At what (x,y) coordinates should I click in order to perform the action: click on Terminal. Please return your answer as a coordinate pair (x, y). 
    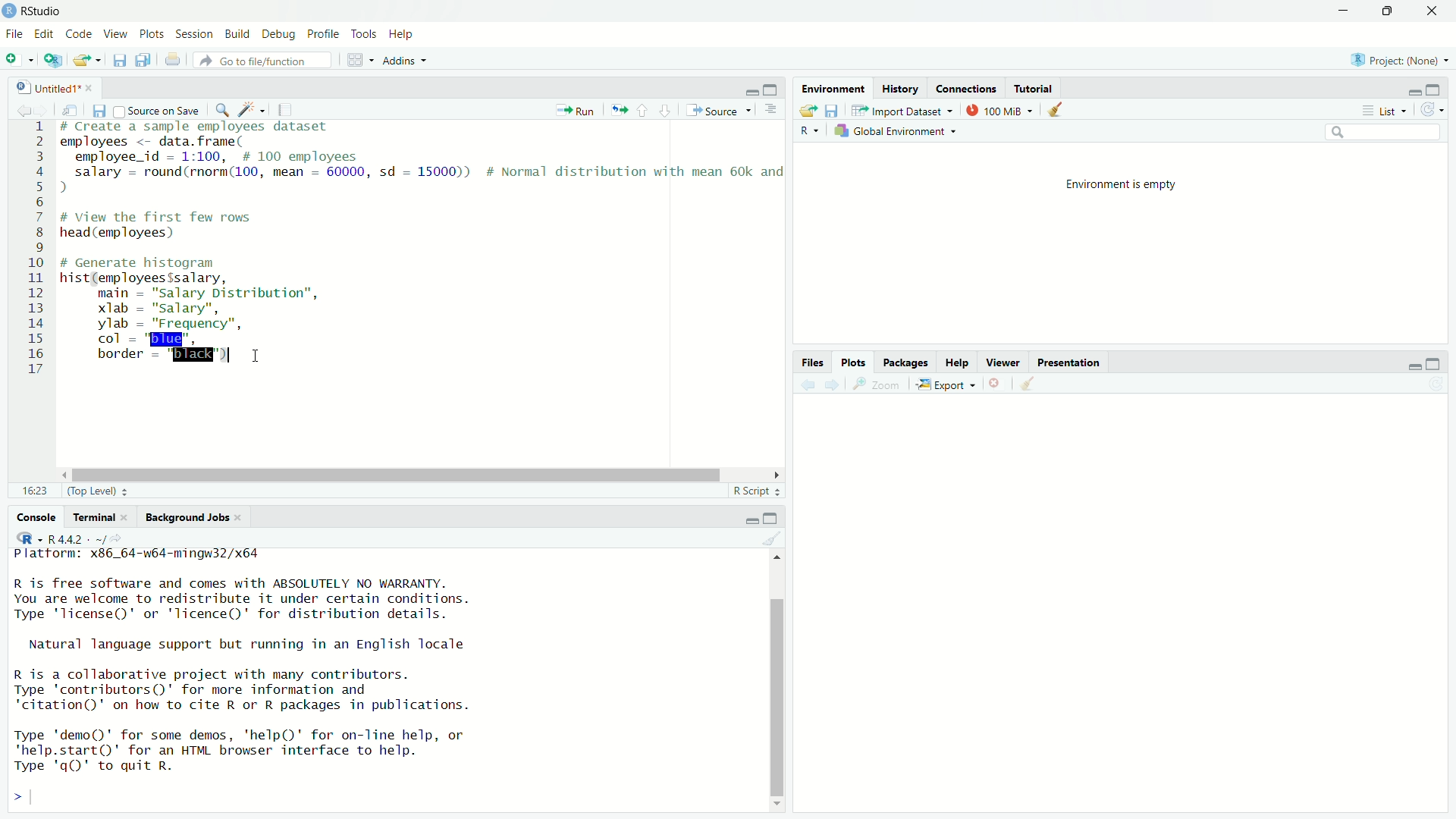
    Looking at the image, I should click on (94, 518).